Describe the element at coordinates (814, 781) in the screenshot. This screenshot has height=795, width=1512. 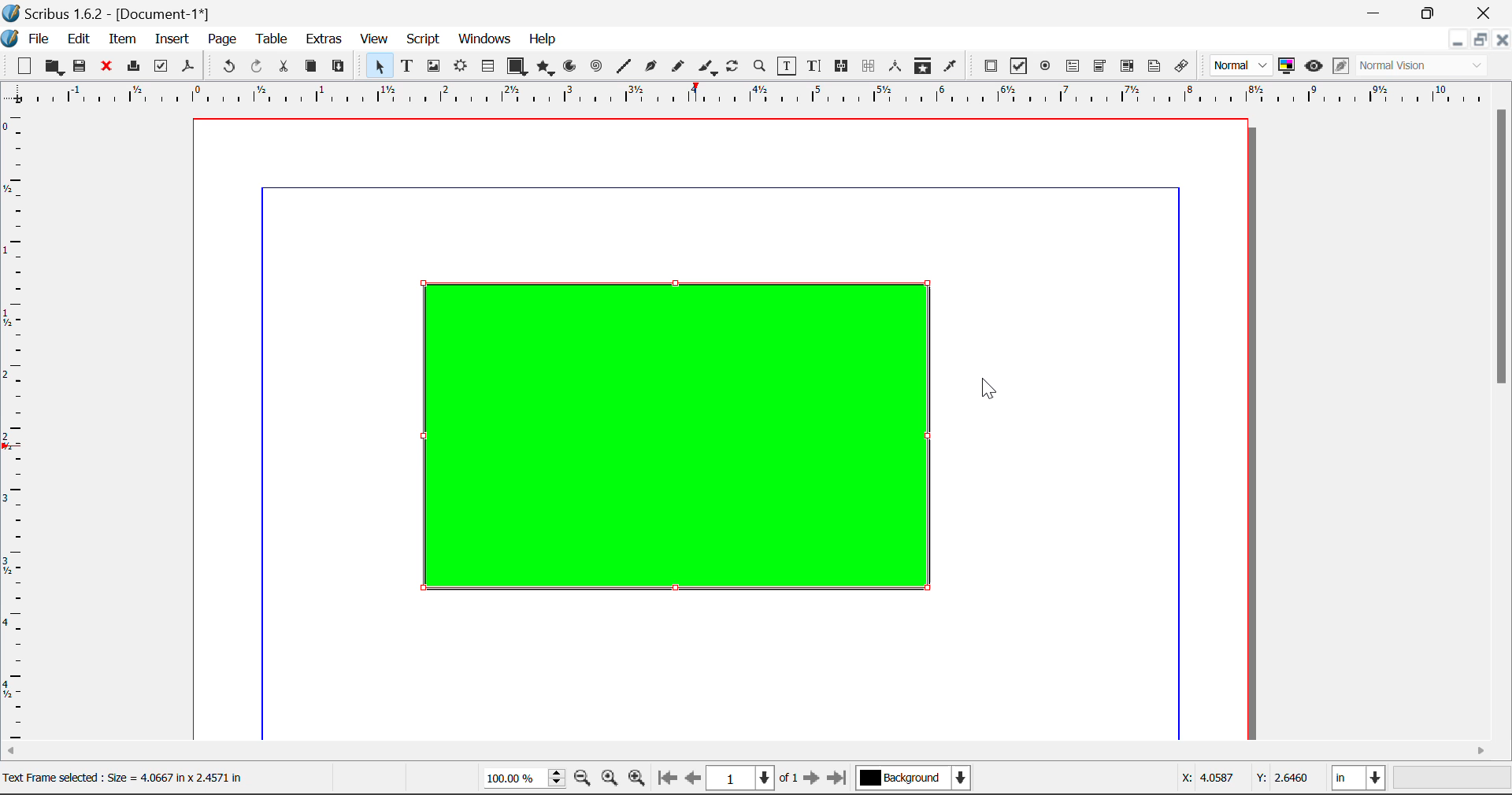
I see `Next Page` at that location.